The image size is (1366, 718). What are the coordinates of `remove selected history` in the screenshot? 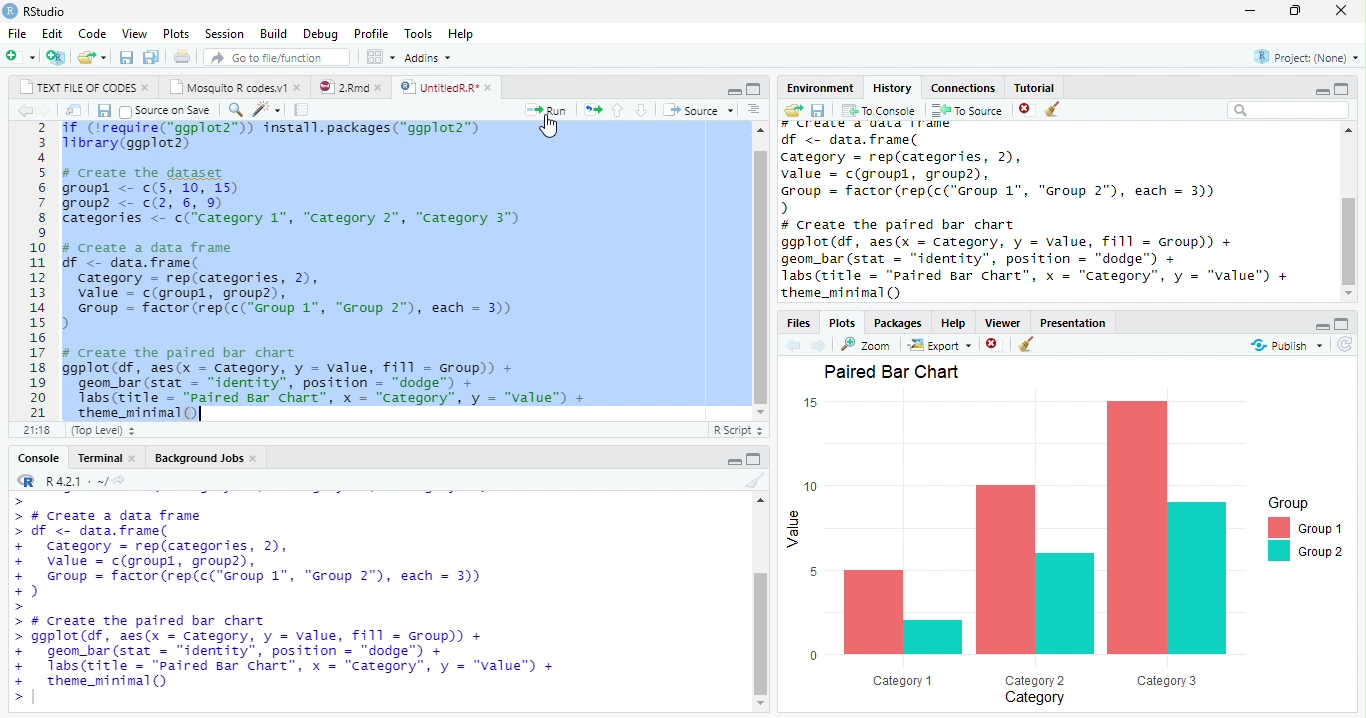 It's located at (1021, 110).